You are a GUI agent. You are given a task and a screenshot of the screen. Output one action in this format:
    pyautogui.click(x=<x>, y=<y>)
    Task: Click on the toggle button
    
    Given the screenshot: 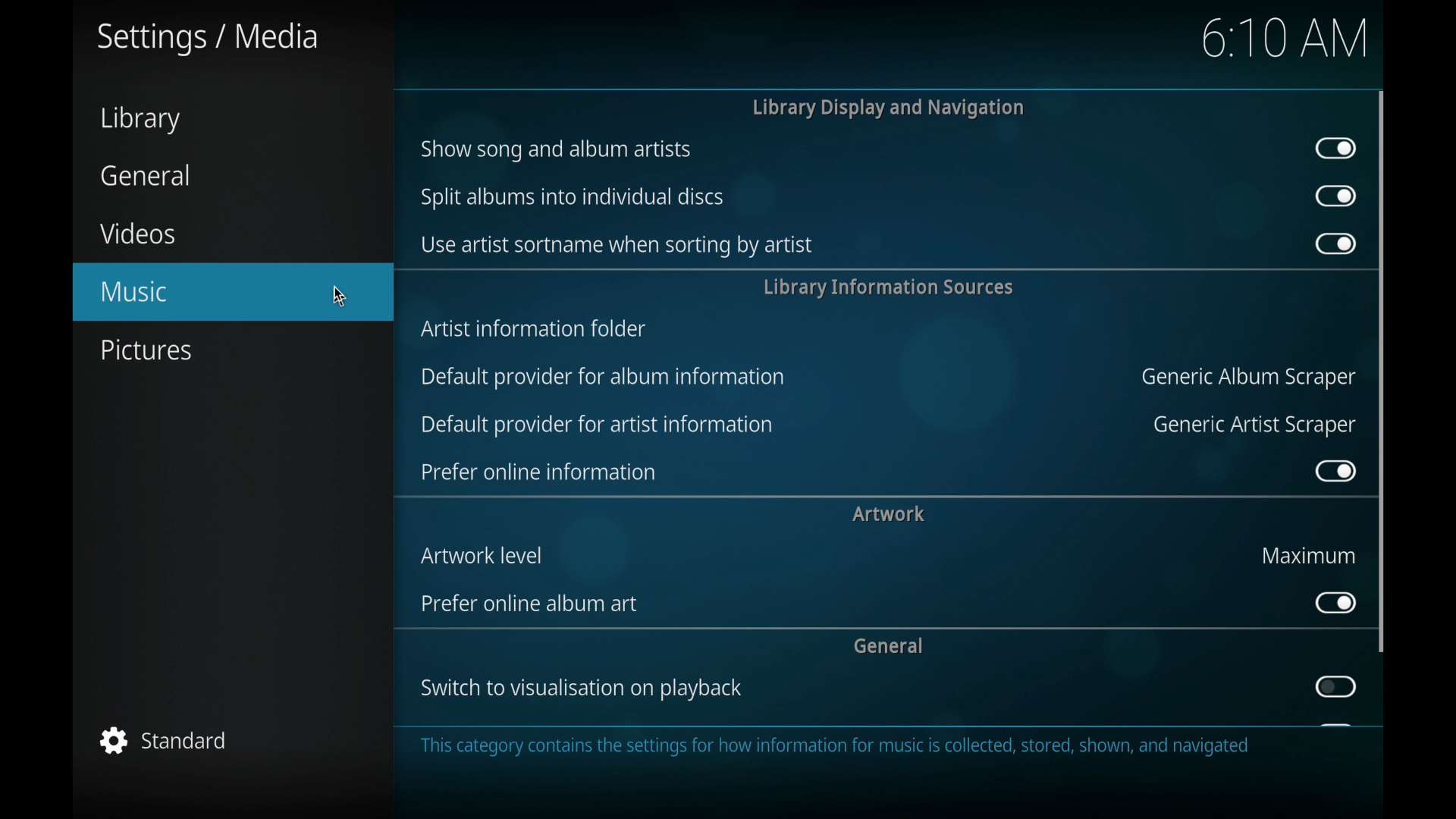 What is the action you would take?
    pyautogui.click(x=1337, y=196)
    